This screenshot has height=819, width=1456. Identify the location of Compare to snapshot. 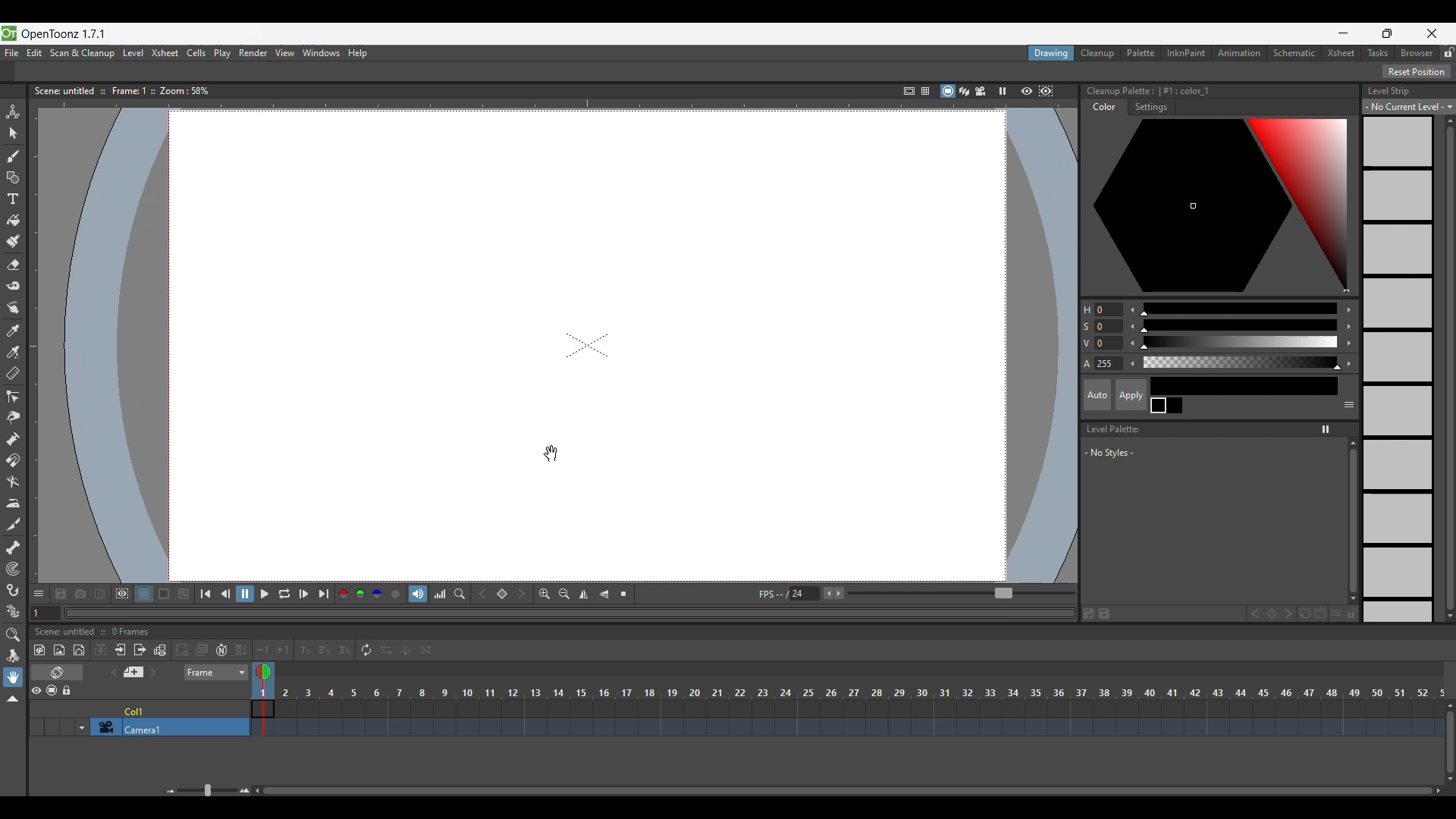
(99, 594).